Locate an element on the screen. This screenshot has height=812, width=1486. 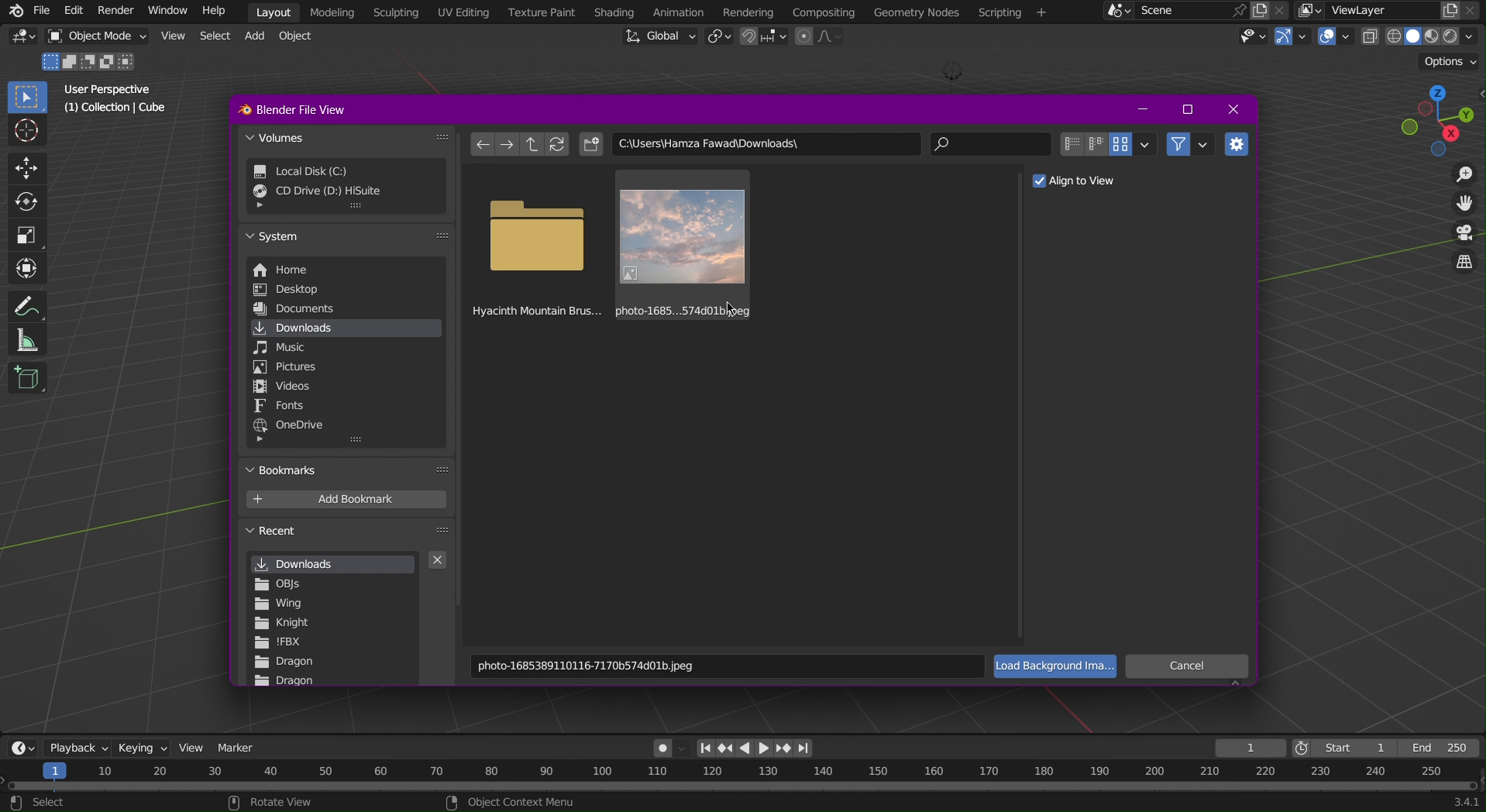
Editor Types is located at coordinates (22, 746).